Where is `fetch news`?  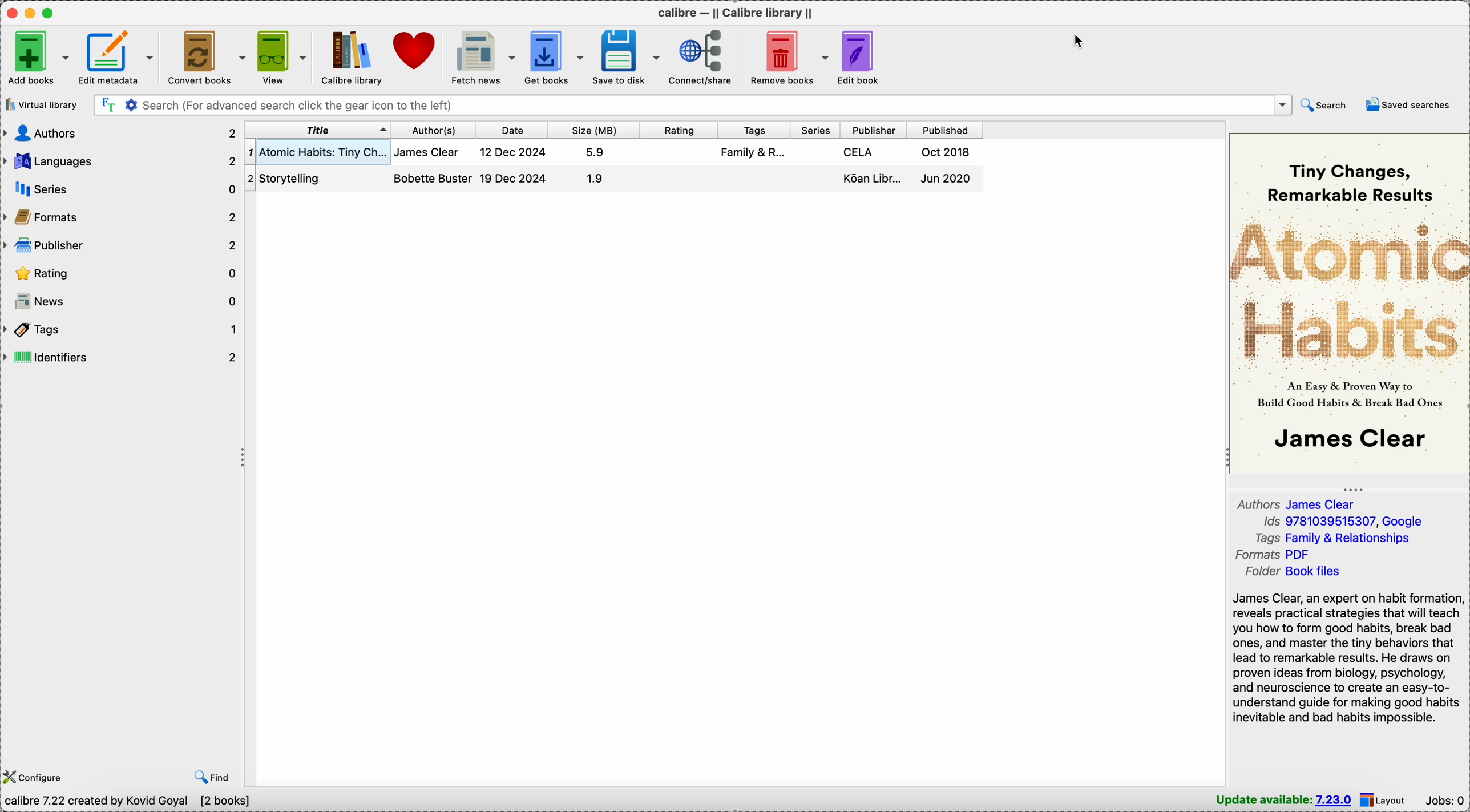
fetch news is located at coordinates (479, 56).